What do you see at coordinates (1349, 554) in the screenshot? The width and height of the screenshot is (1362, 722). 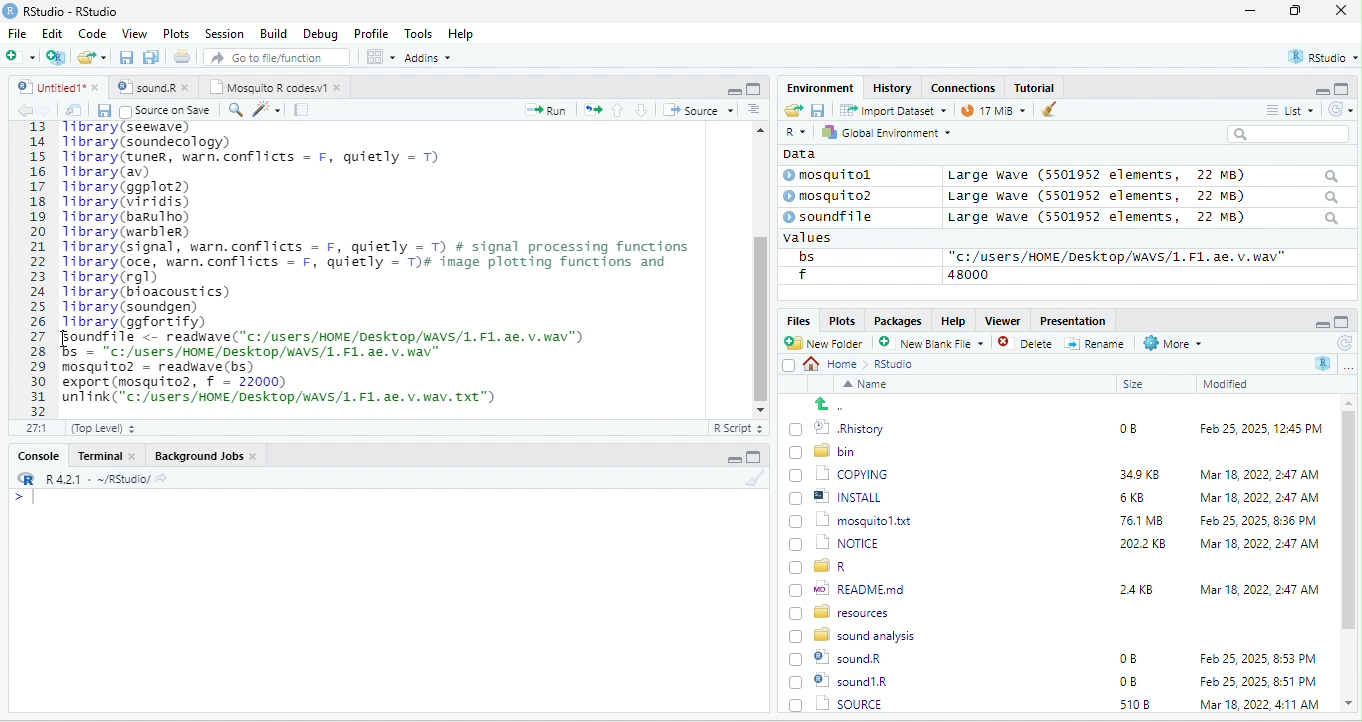 I see `scroll bar` at bounding box center [1349, 554].